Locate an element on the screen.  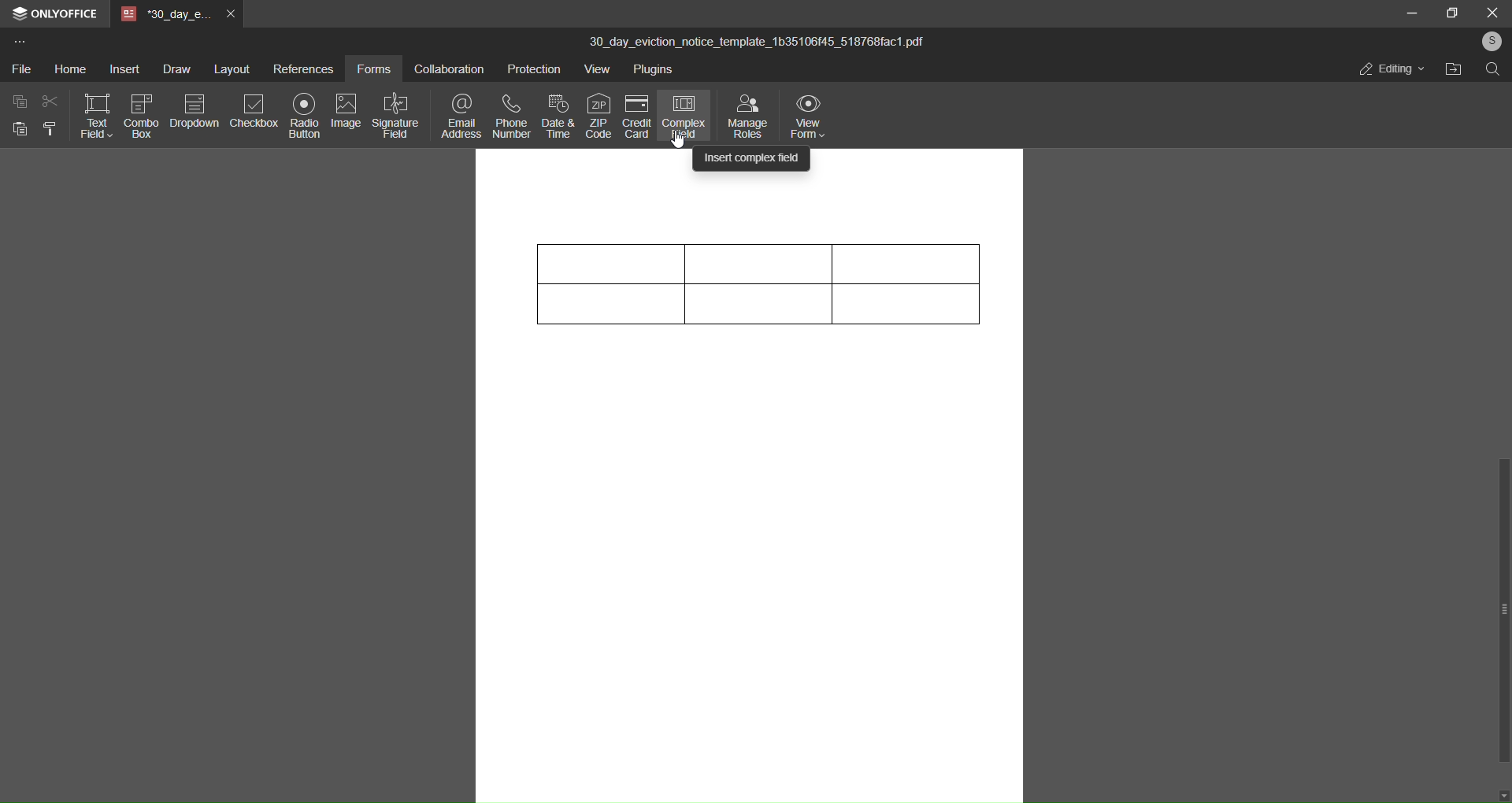
check box is located at coordinates (255, 111).